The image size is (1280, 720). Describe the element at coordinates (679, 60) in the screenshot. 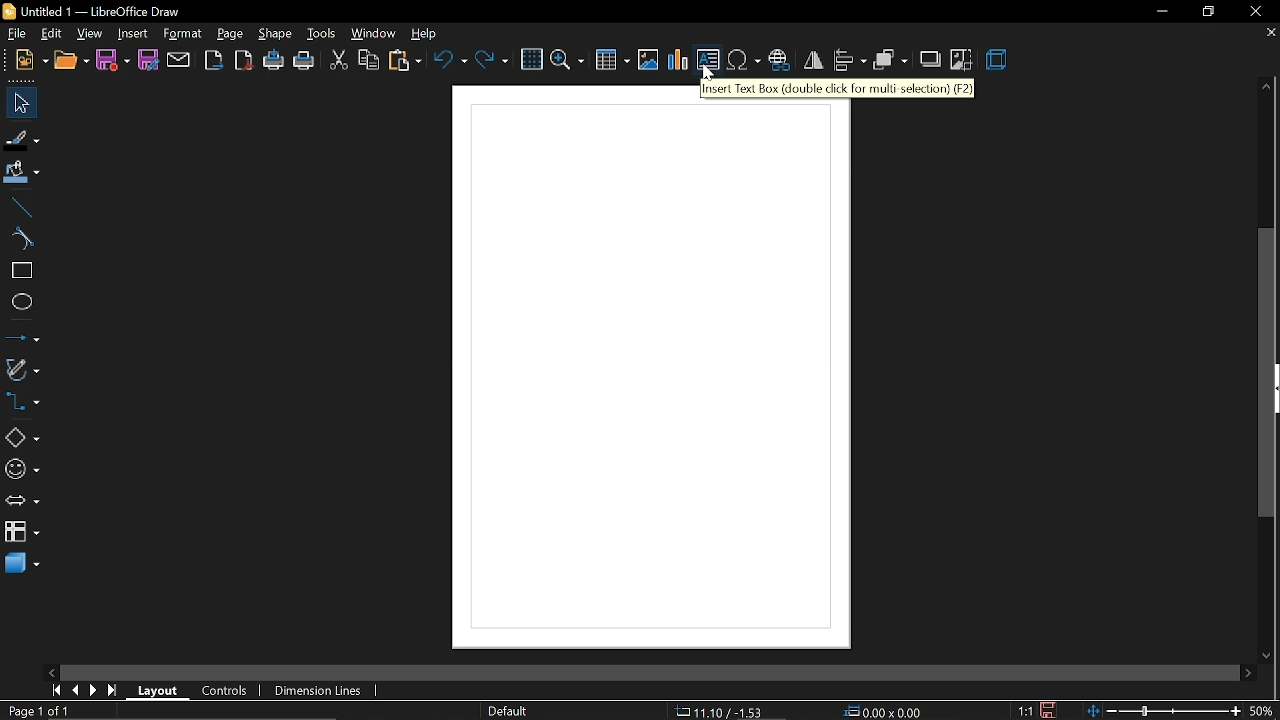

I see `insert chart` at that location.